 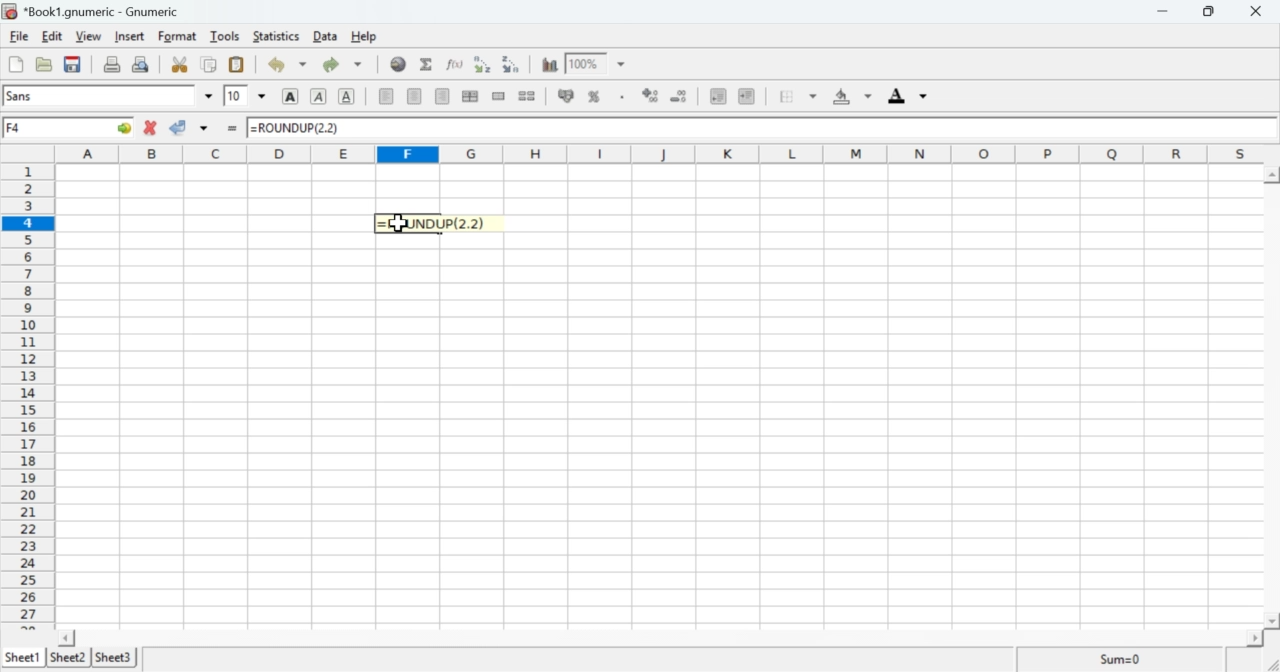 I want to click on Format, so click(x=177, y=36).